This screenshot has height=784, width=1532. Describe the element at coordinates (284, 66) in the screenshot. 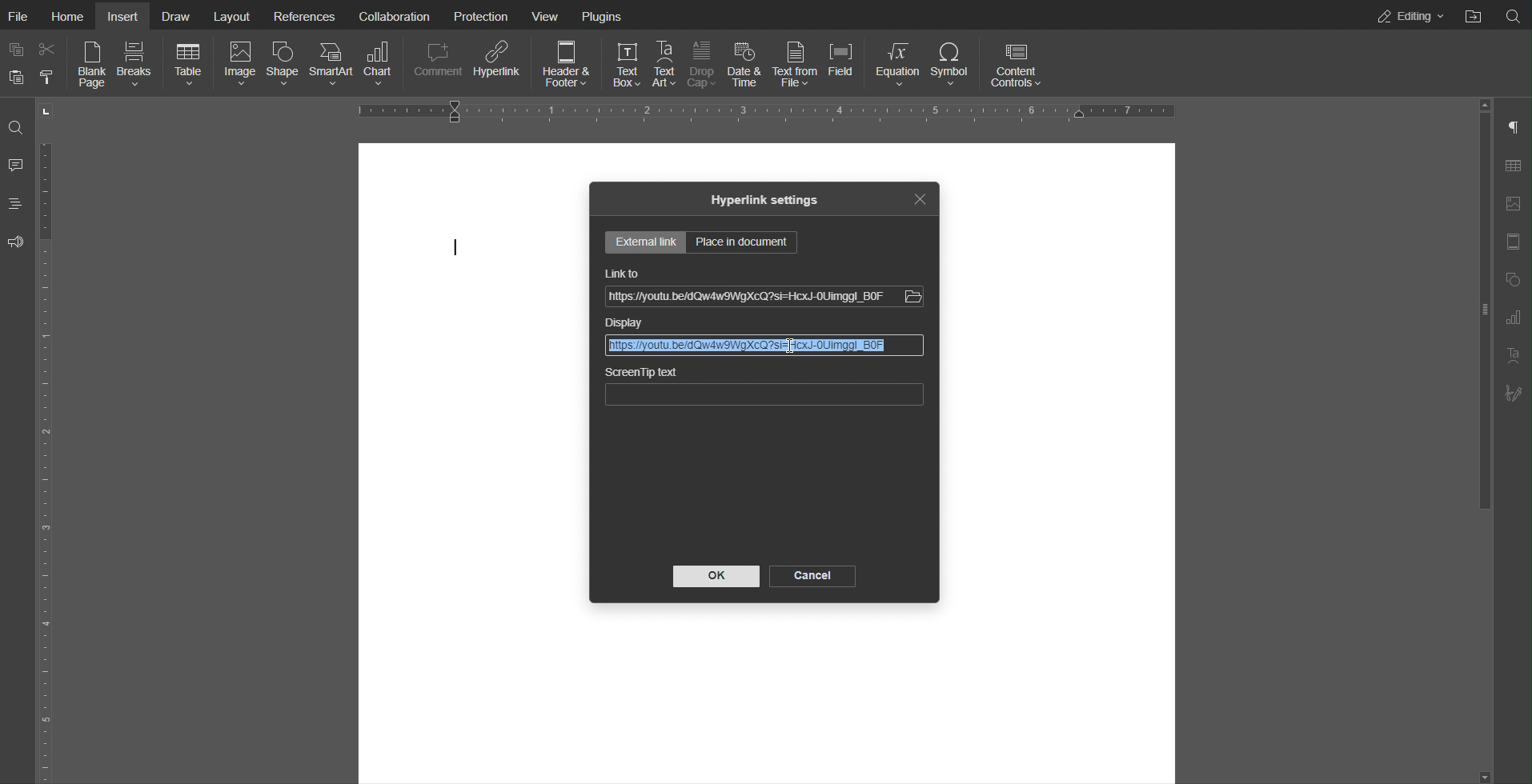

I see `Shape` at that location.